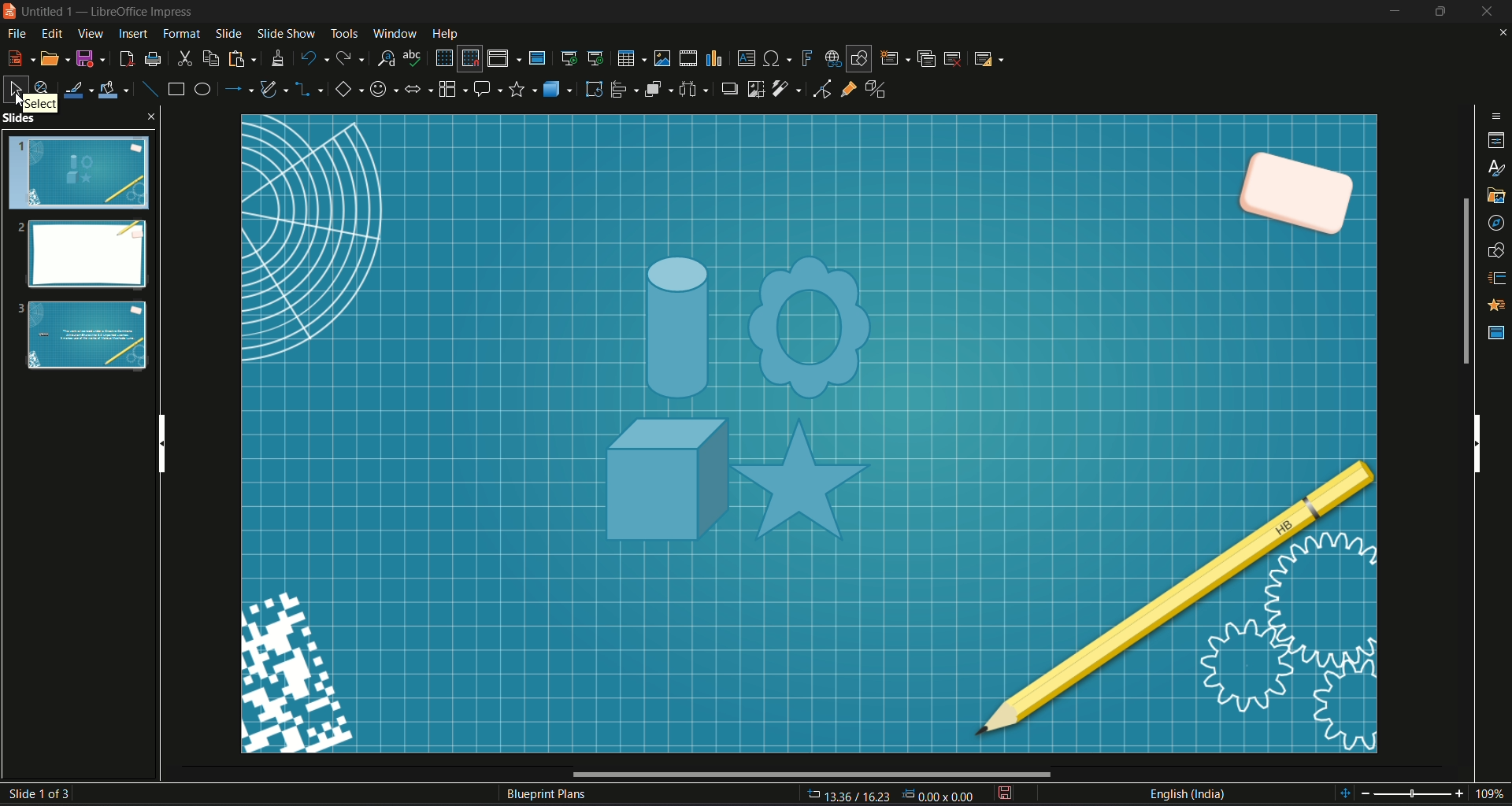 This screenshot has width=1512, height=806. What do you see at coordinates (285, 31) in the screenshot?
I see `Slide show` at bounding box center [285, 31].